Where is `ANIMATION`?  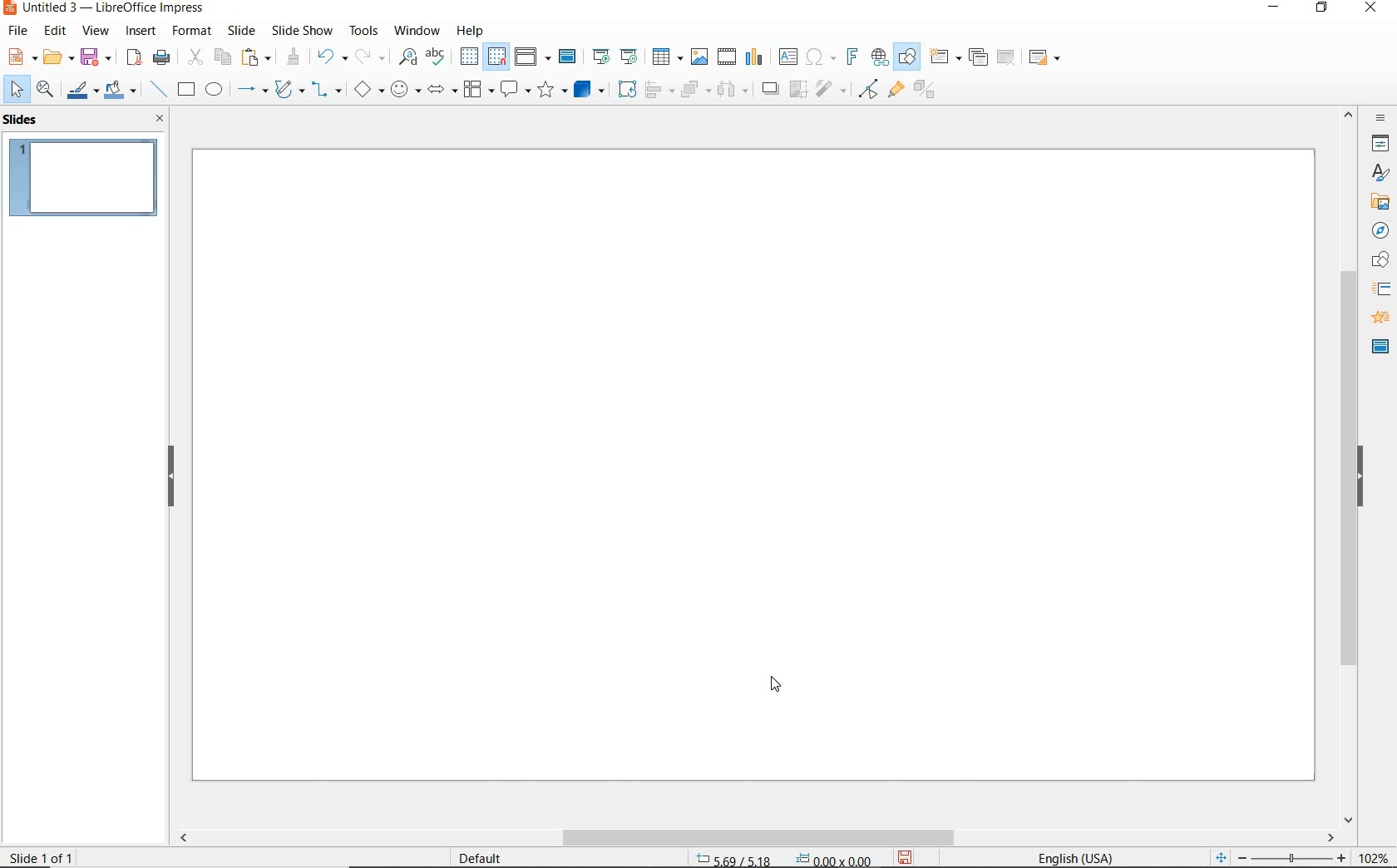
ANIMATION is located at coordinates (1381, 319).